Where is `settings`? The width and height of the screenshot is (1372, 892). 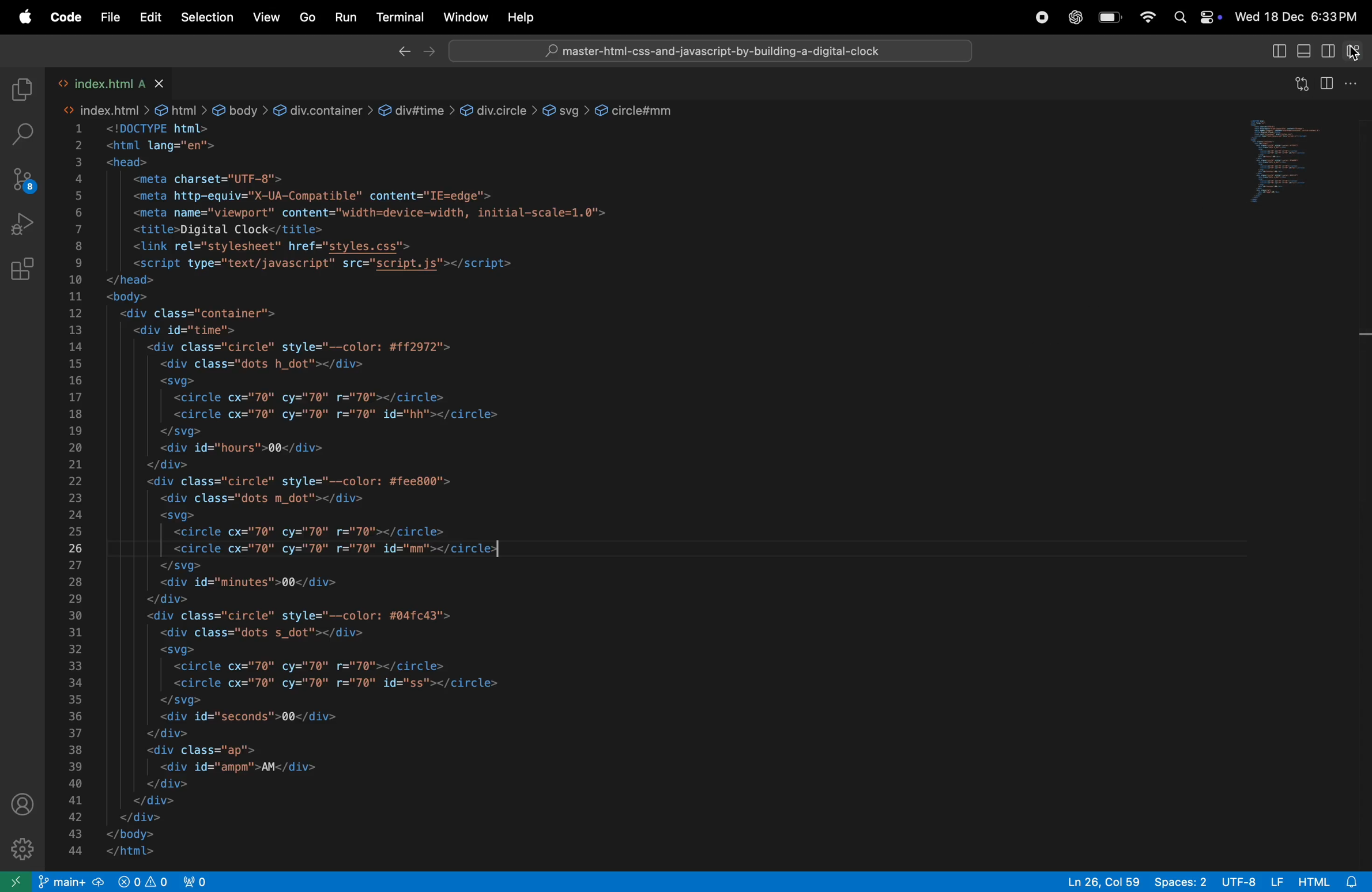
settings is located at coordinates (23, 849).